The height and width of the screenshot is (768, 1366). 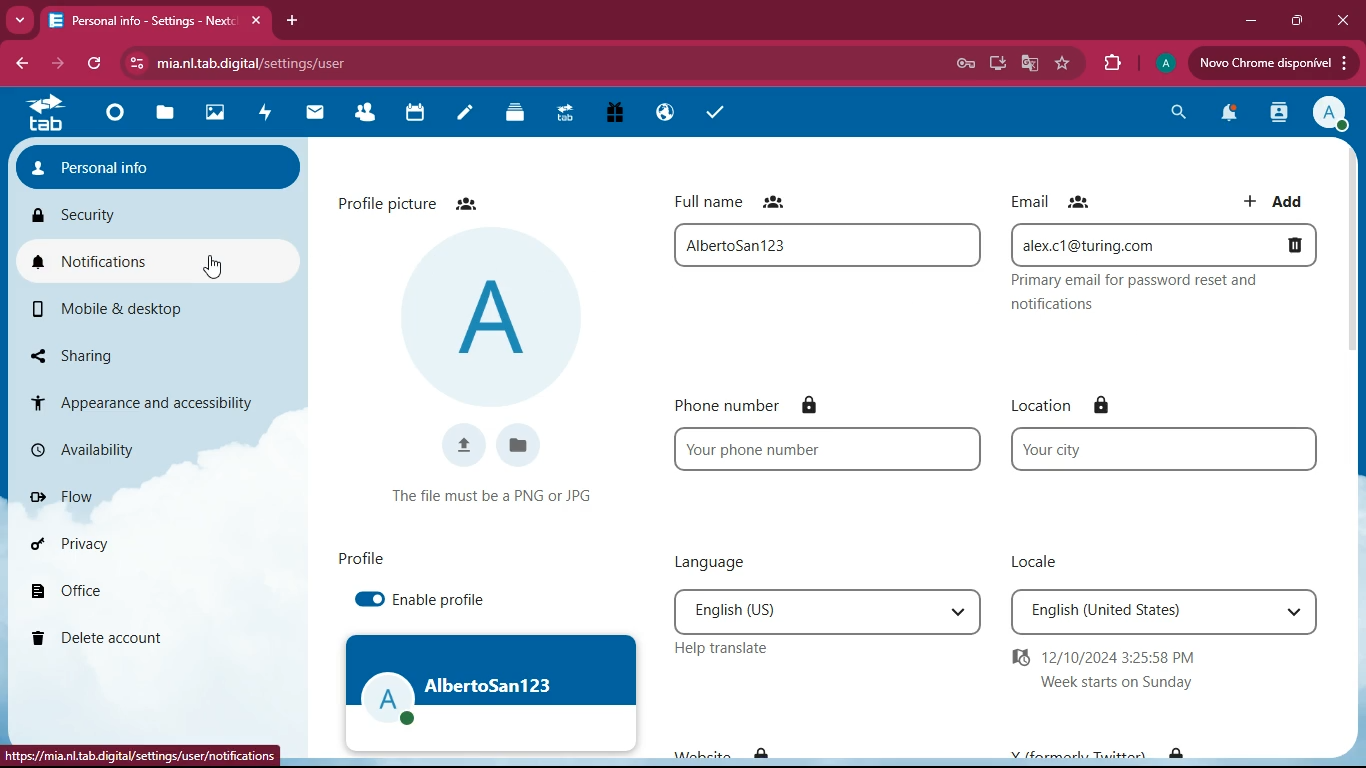 I want to click on calendar, so click(x=422, y=115).